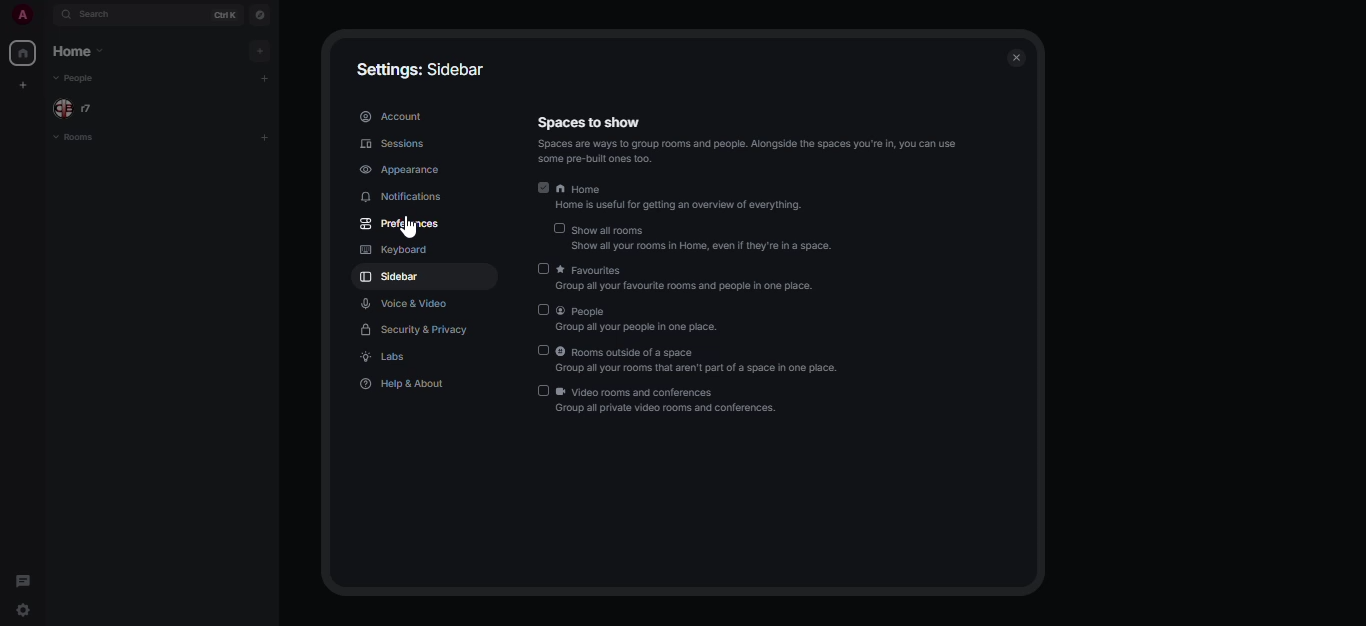 This screenshot has height=626, width=1366. What do you see at coordinates (678, 200) in the screenshot?
I see `Home` at bounding box center [678, 200].